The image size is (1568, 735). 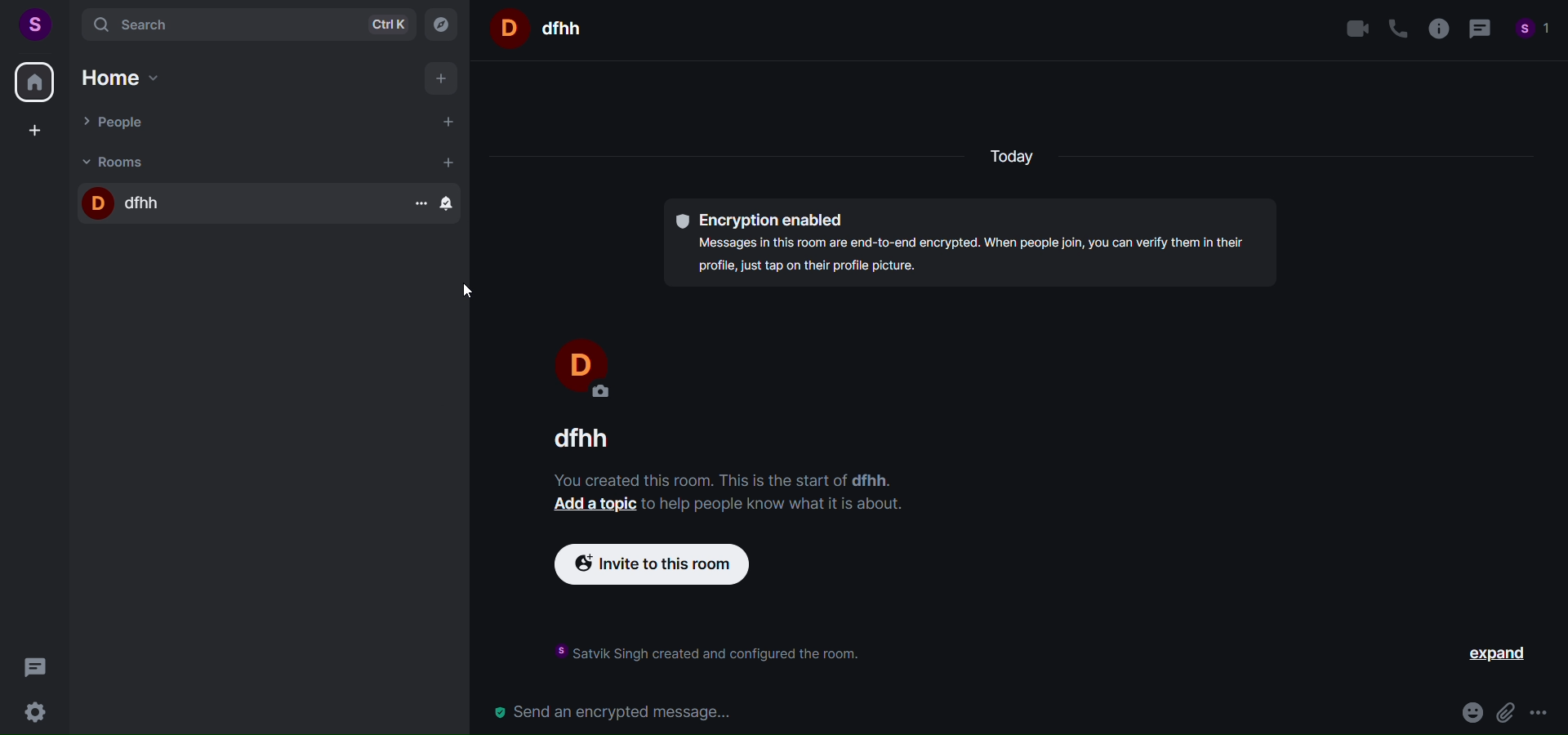 What do you see at coordinates (1439, 29) in the screenshot?
I see `room info` at bounding box center [1439, 29].